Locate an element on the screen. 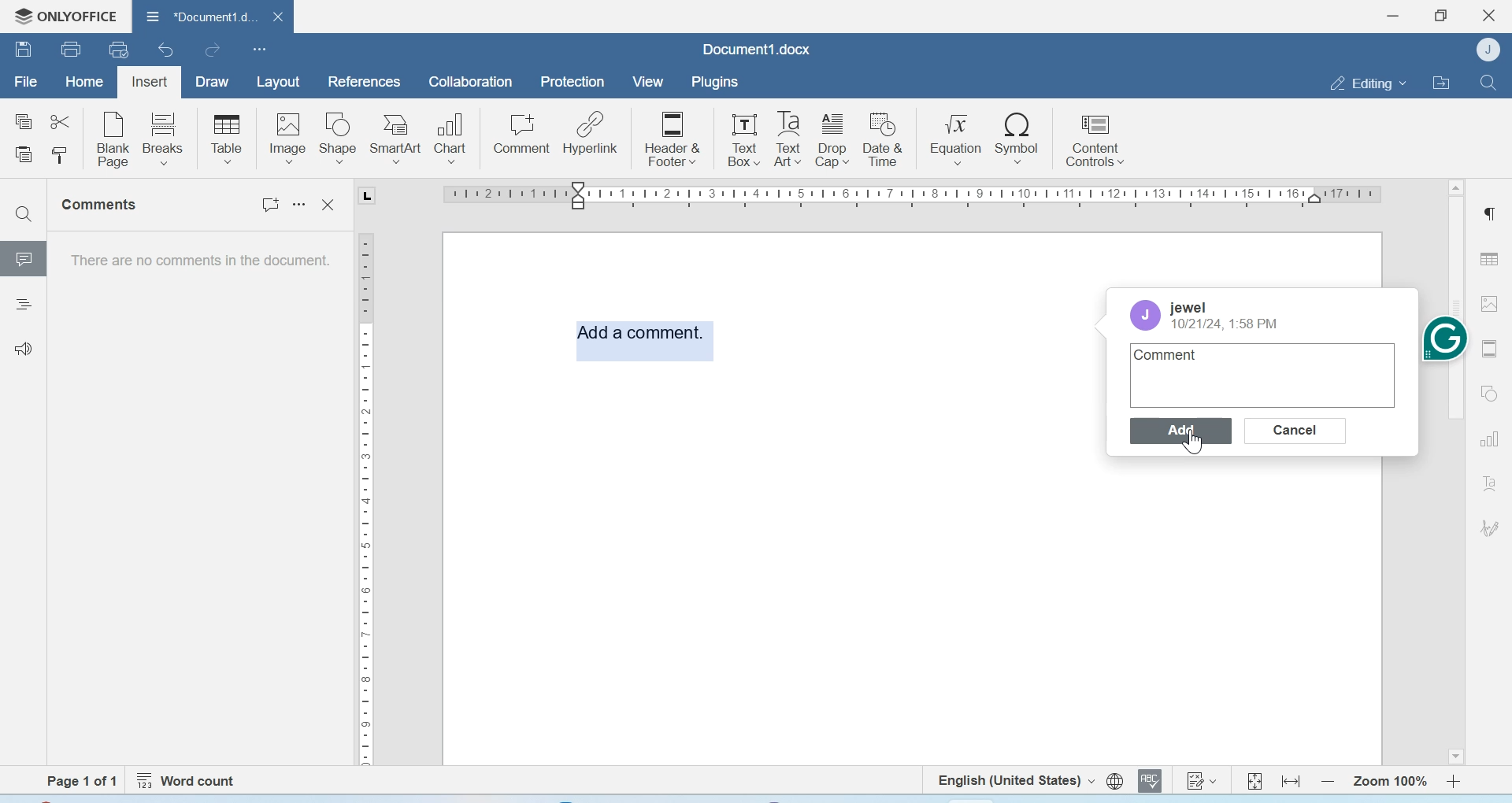 This screenshot has width=1512, height=803. Text Box is located at coordinates (740, 139).